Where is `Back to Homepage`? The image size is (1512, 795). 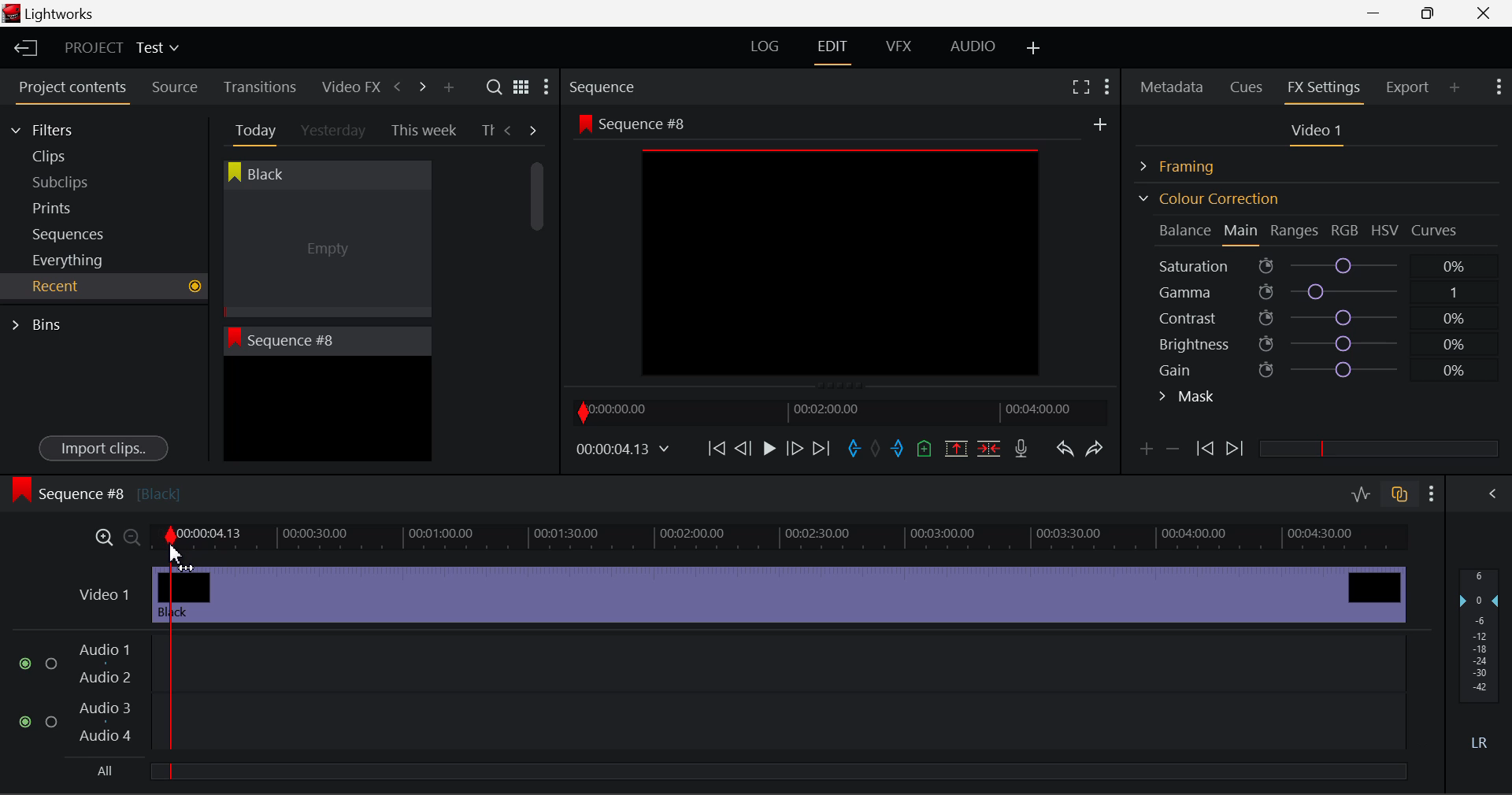
Back to Homepage is located at coordinates (20, 49).